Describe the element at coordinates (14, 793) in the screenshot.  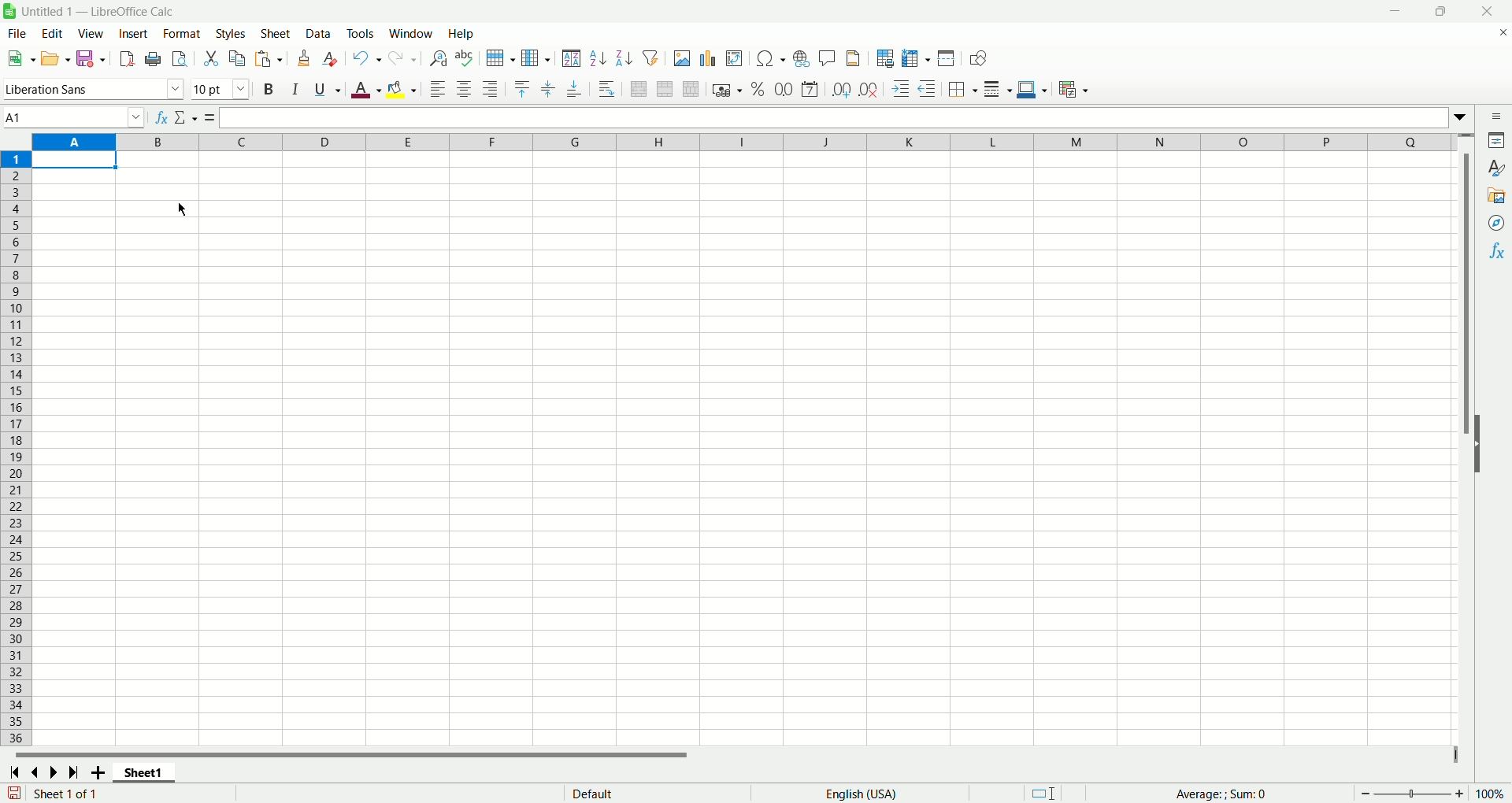
I see `save` at that location.